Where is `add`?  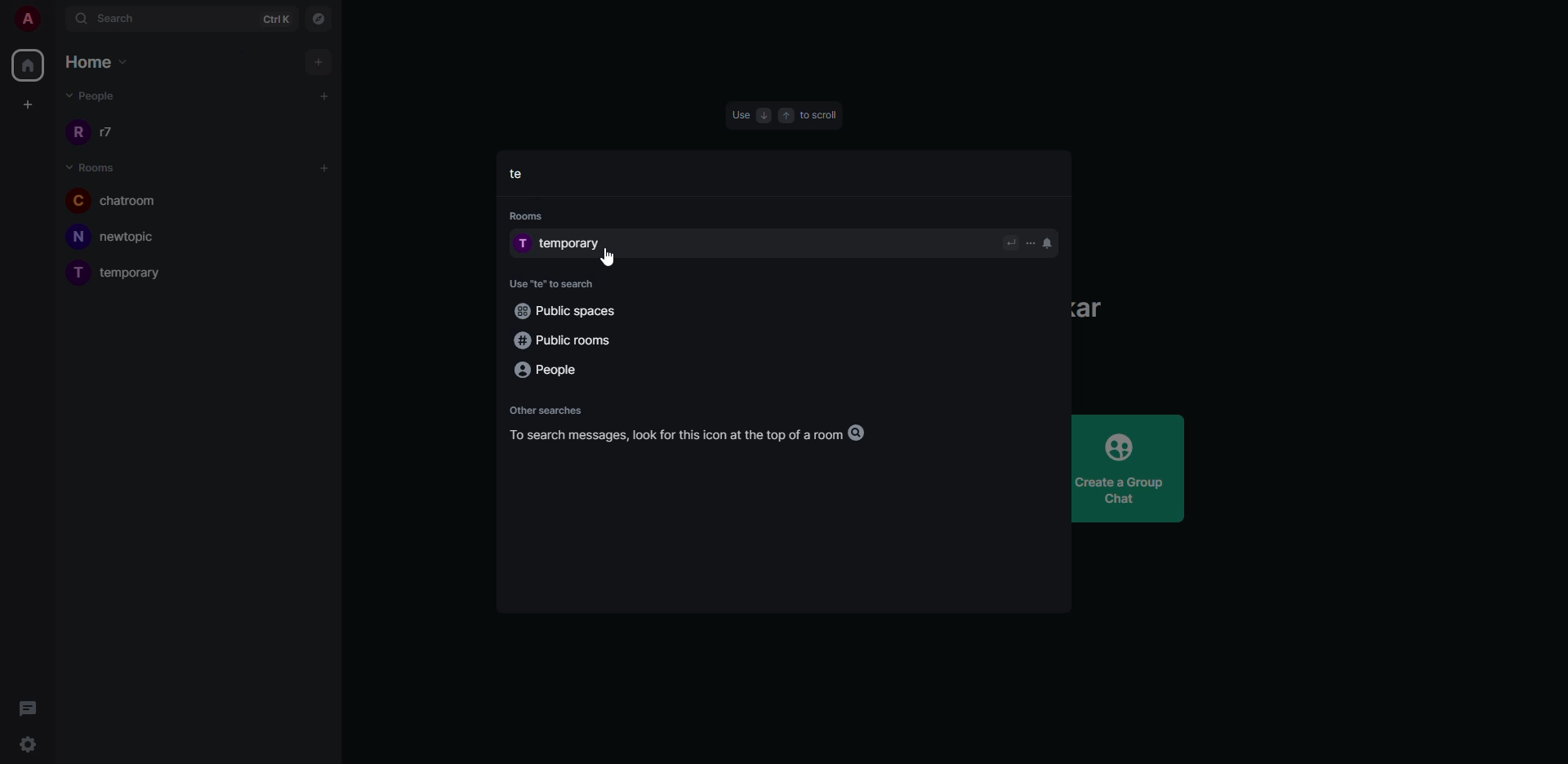 add is located at coordinates (327, 169).